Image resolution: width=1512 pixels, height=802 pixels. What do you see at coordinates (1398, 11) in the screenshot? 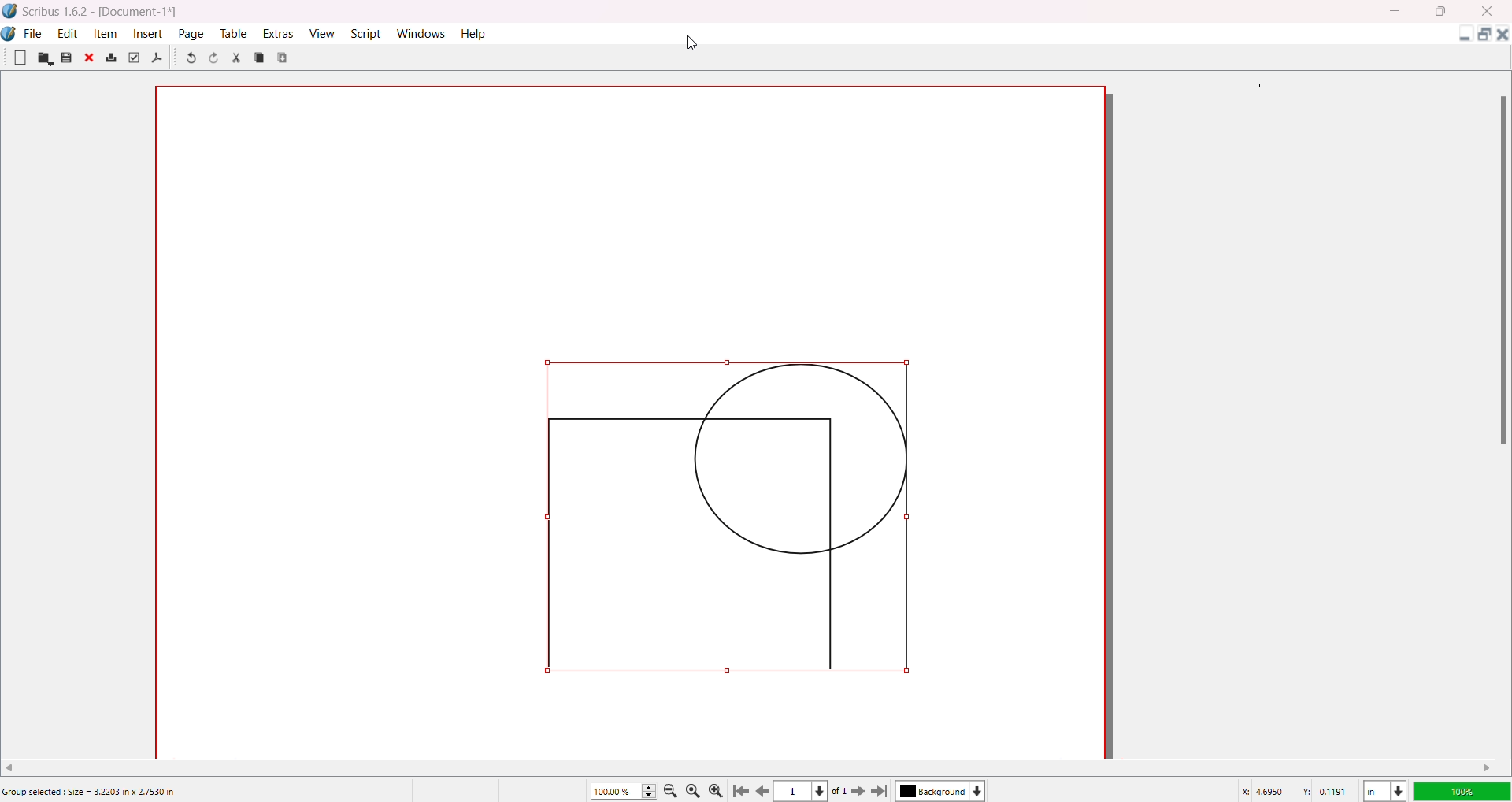
I see `MInimize` at bounding box center [1398, 11].